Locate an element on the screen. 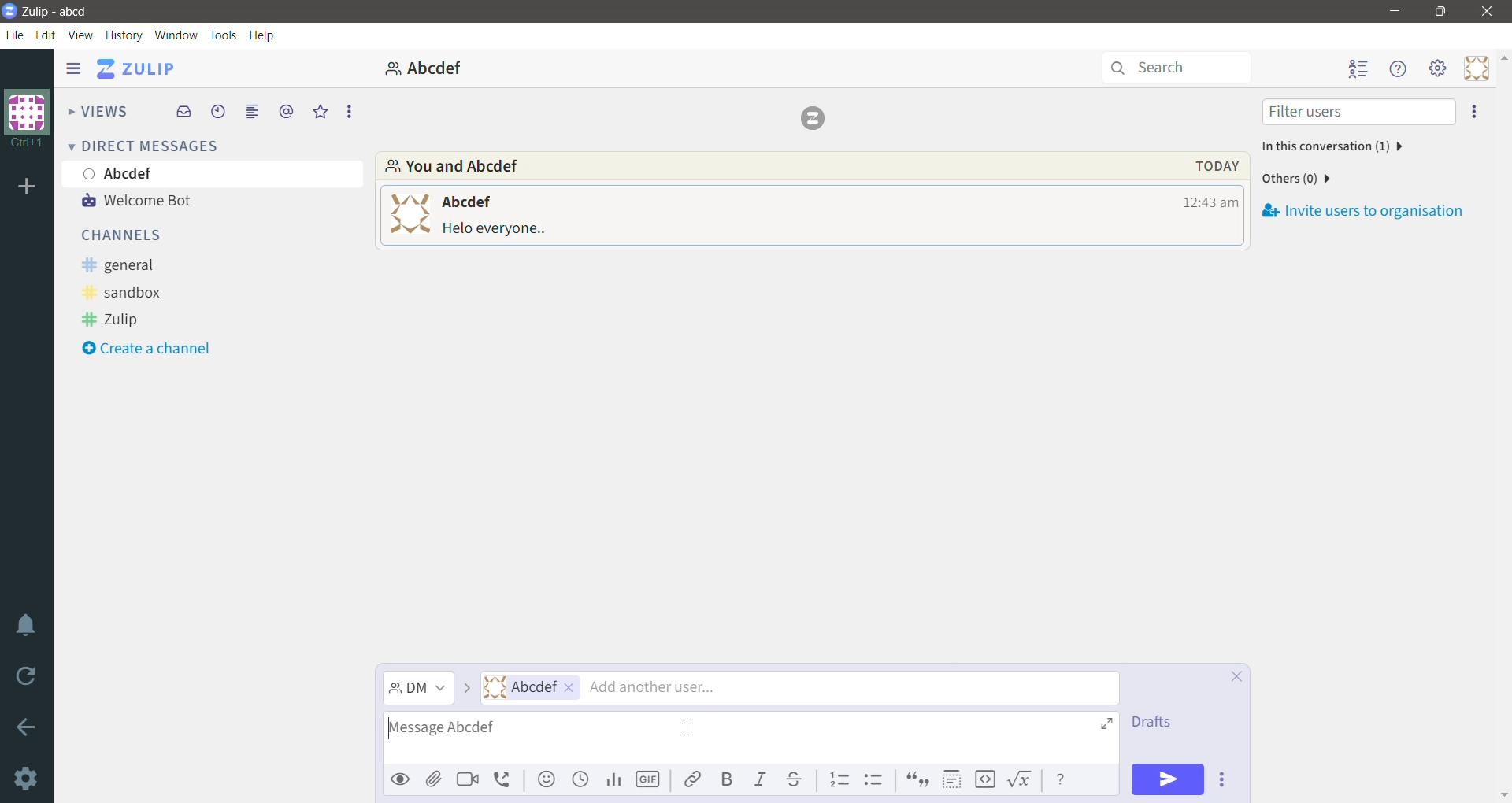 The height and width of the screenshot is (803, 1512). Filter users is located at coordinates (1357, 112).